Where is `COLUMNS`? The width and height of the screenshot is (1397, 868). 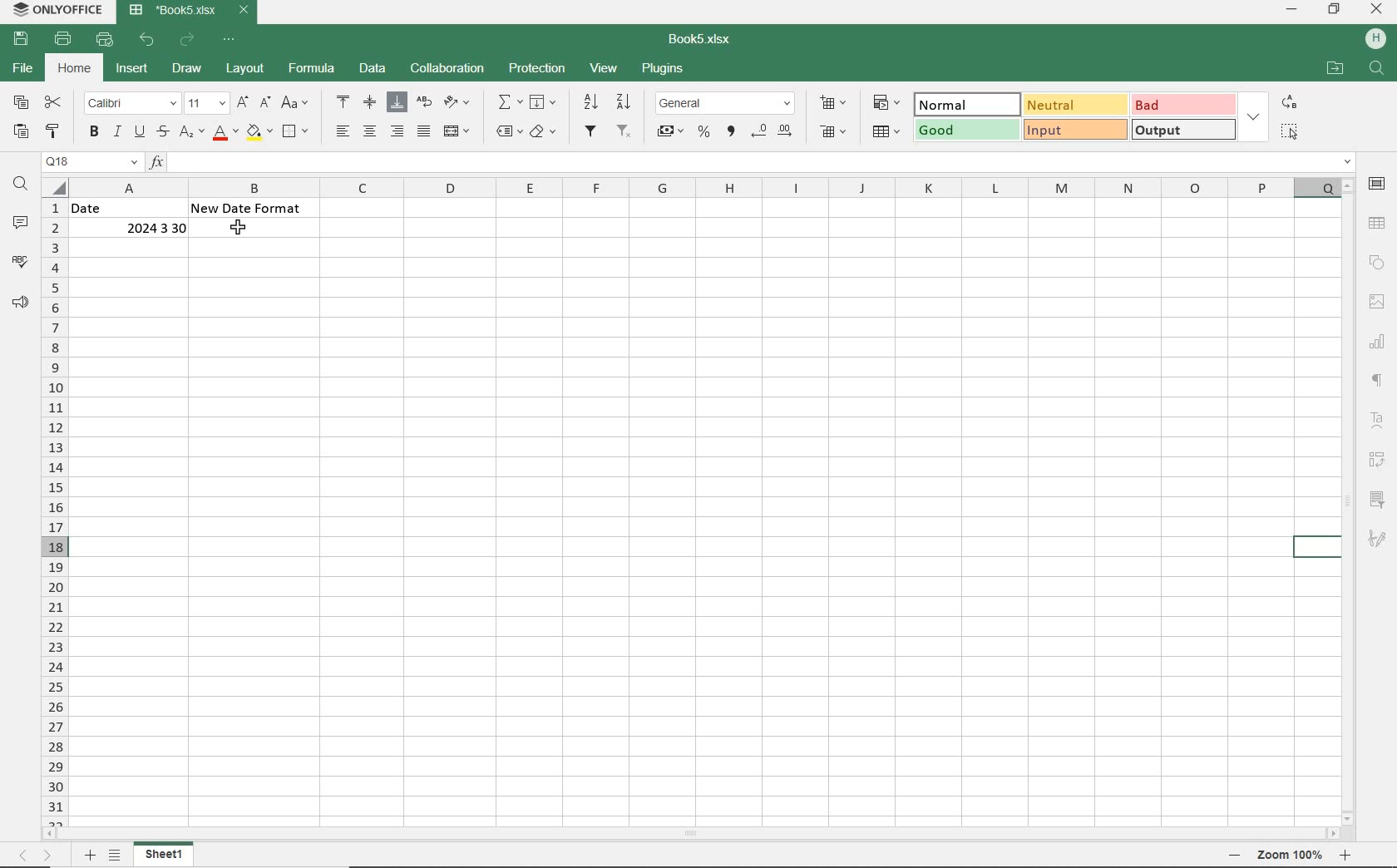 COLUMNS is located at coordinates (704, 186).